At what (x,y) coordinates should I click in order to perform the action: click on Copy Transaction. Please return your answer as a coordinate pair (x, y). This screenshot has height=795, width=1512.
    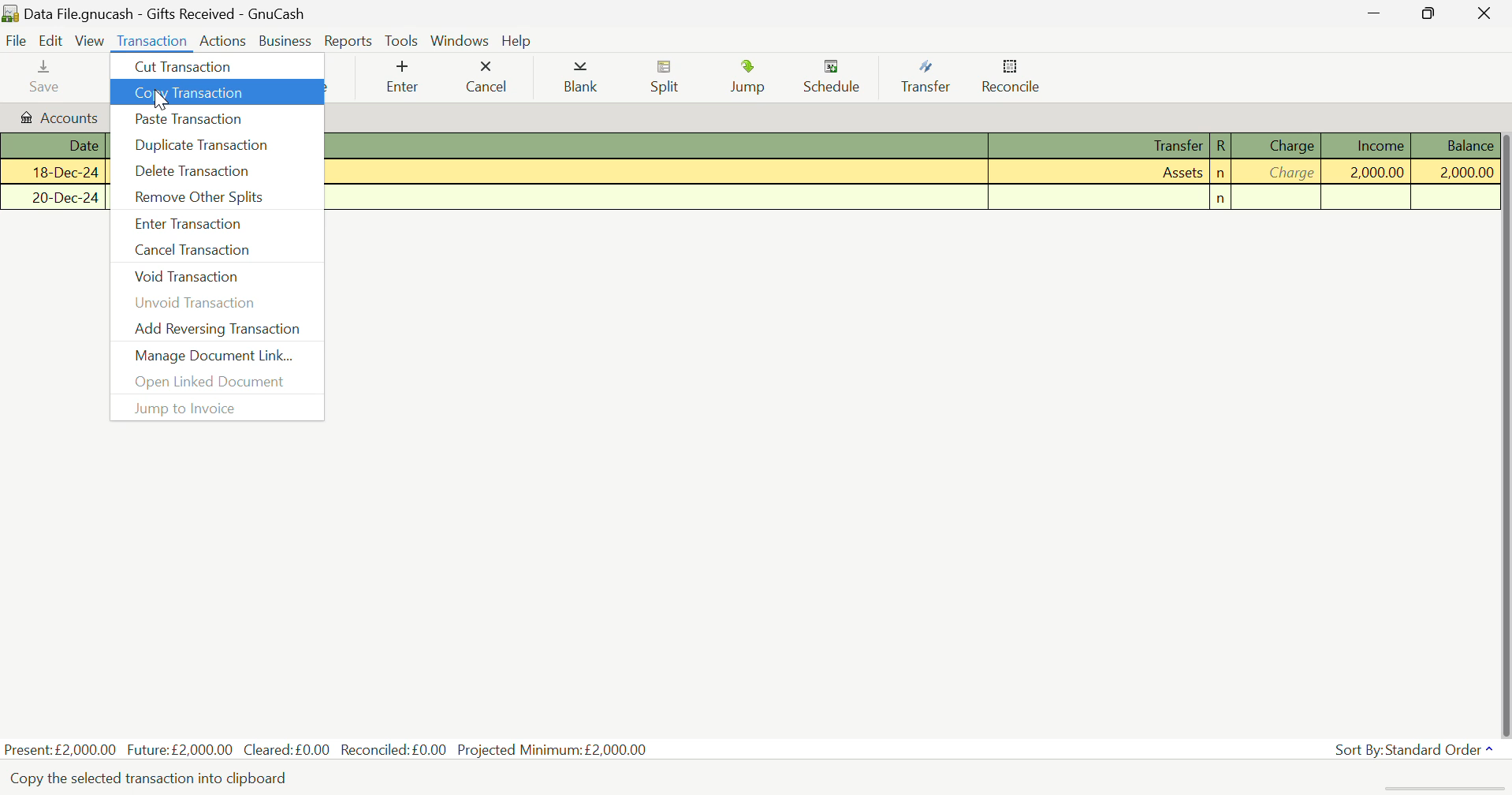
    Looking at the image, I should click on (218, 92).